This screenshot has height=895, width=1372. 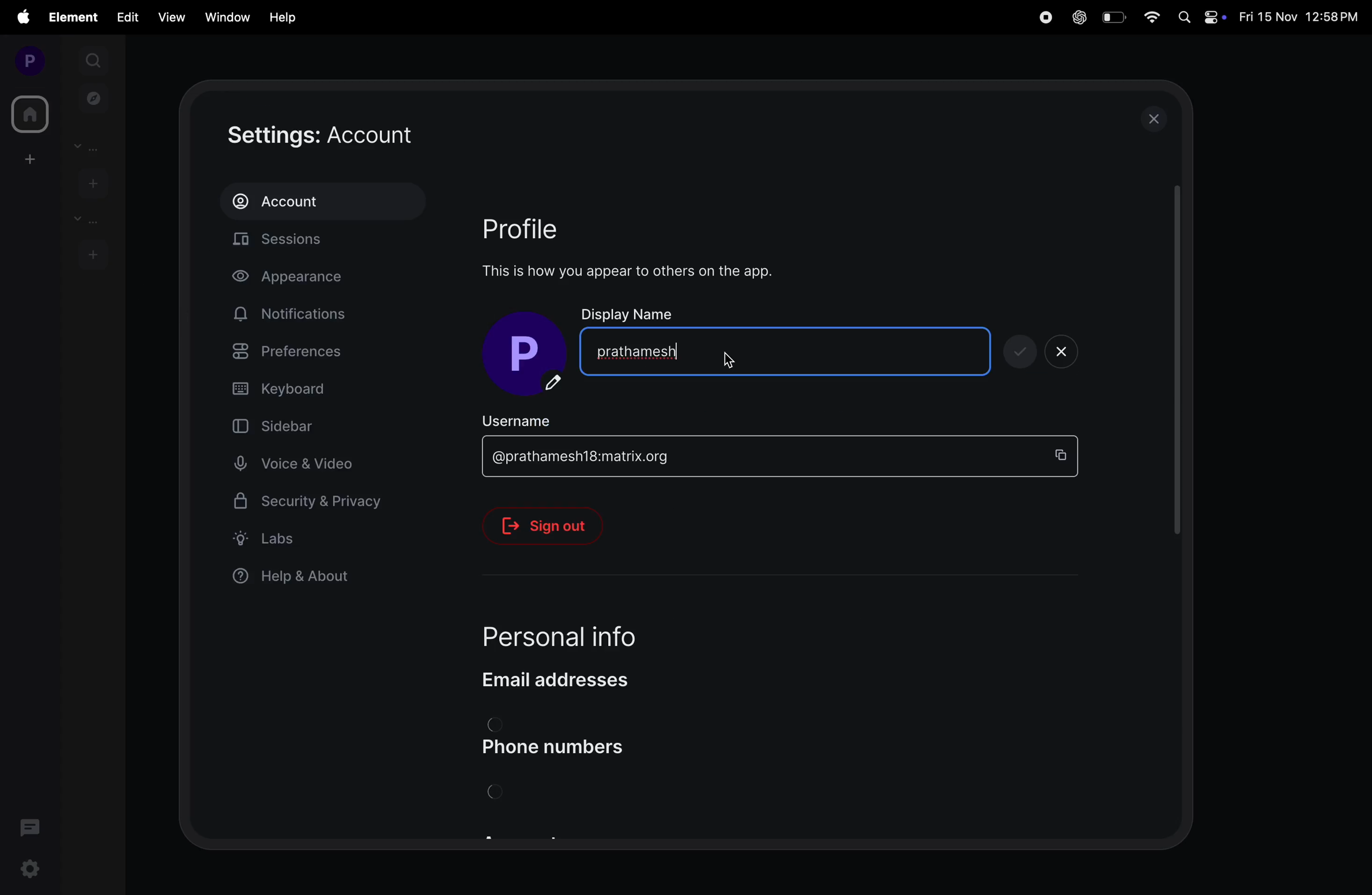 I want to click on window, so click(x=225, y=16).